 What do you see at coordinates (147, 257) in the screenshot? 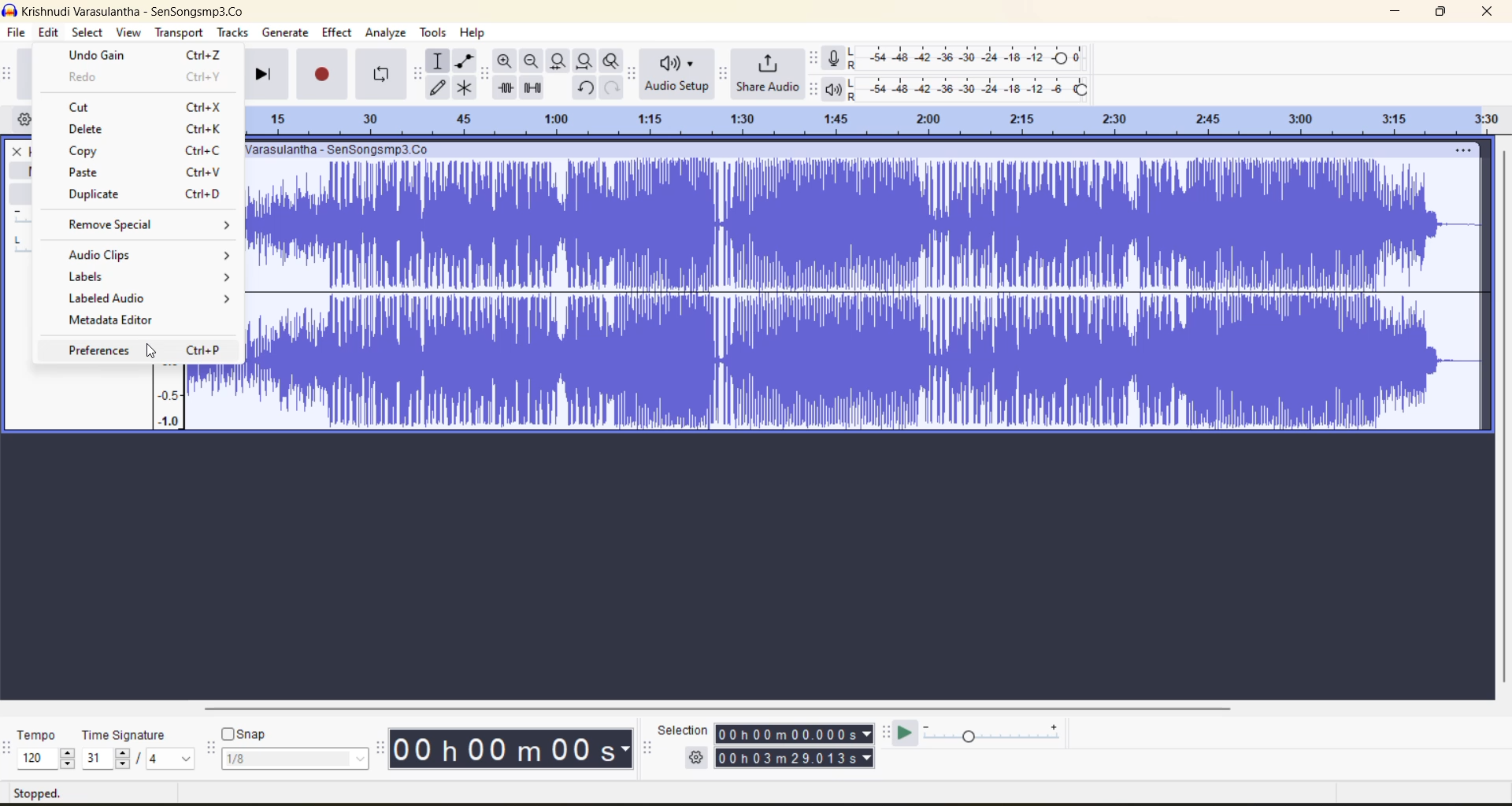
I see `audio clips` at bounding box center [147, 257].